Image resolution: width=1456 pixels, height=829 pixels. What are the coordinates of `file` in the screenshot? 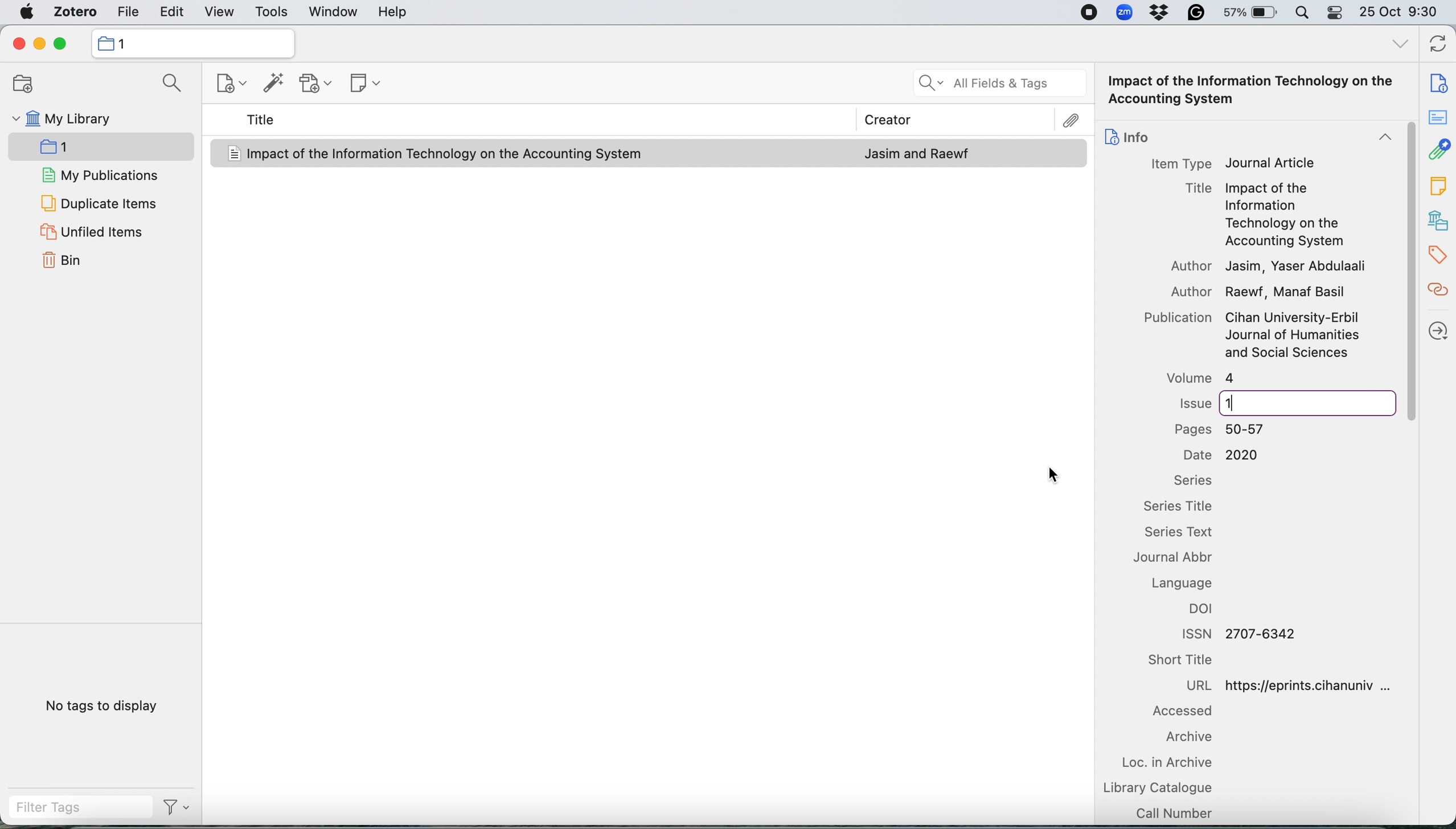 It's located at (127, 11).